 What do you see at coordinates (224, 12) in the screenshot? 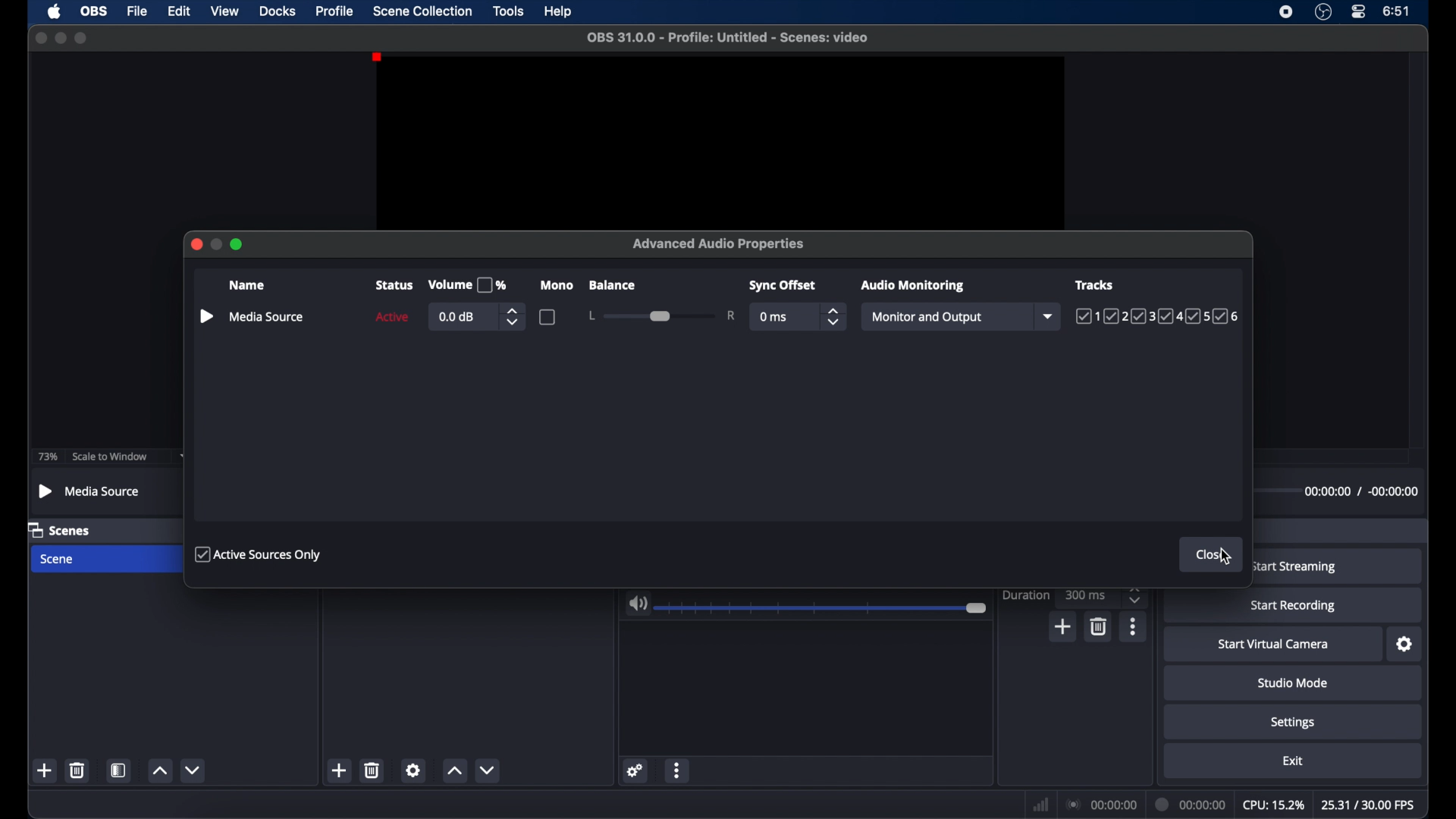
I see `view` at bounding box center [224, 12].